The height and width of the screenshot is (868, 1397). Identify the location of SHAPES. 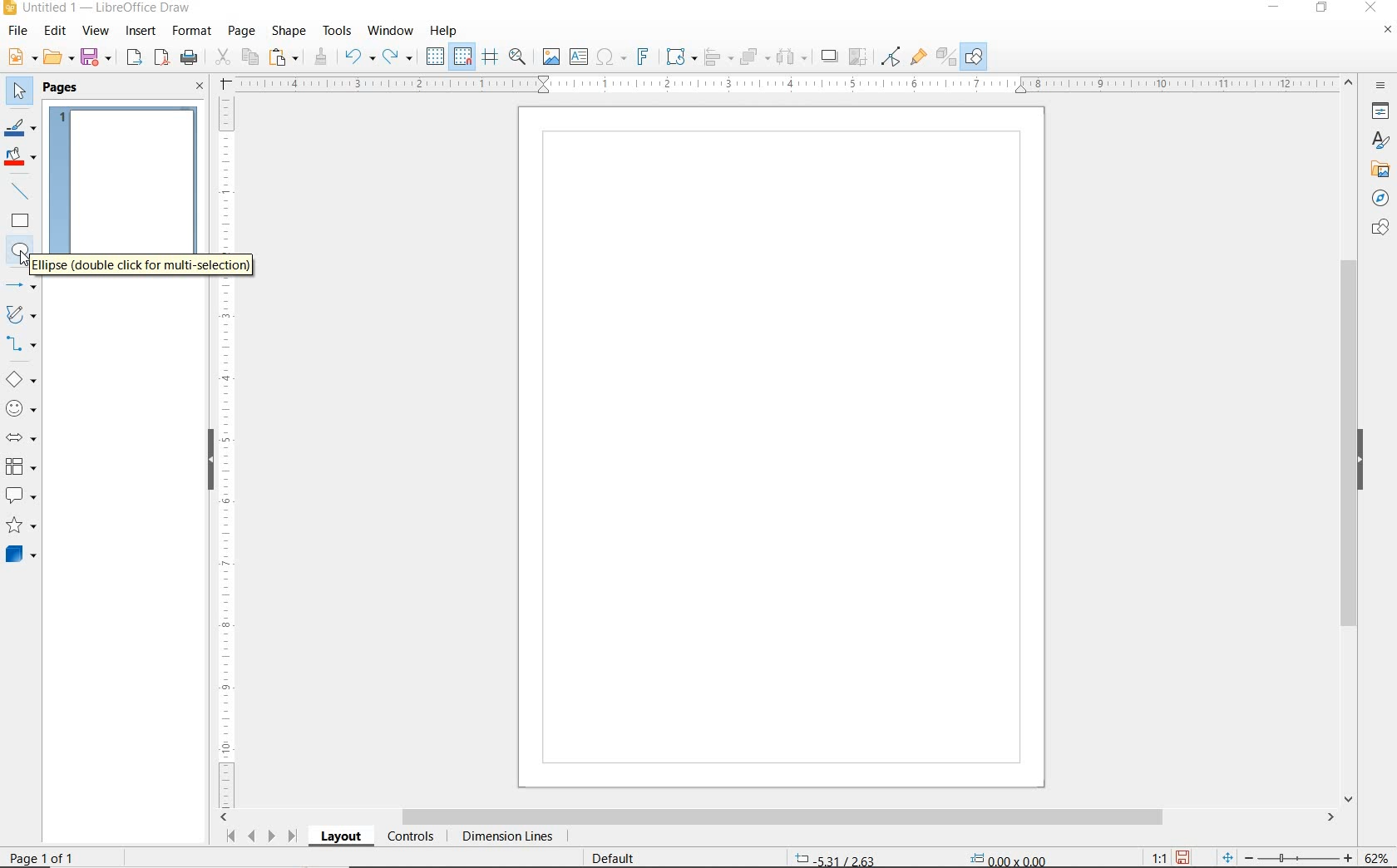
(1375, 228).